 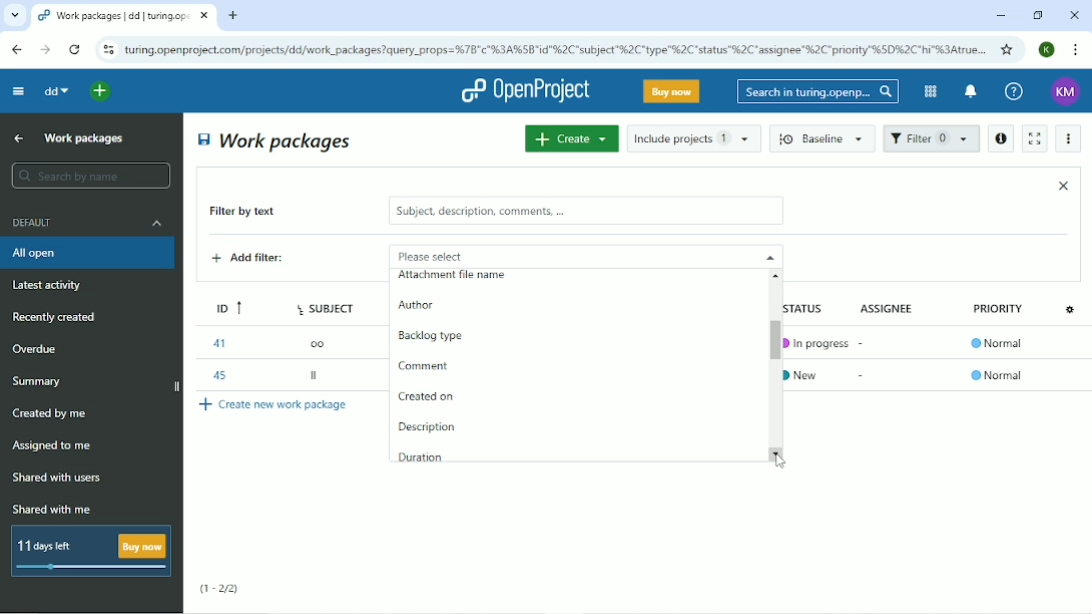 I want to click on Customize and control google chrome, so click(x=1077, y=50).